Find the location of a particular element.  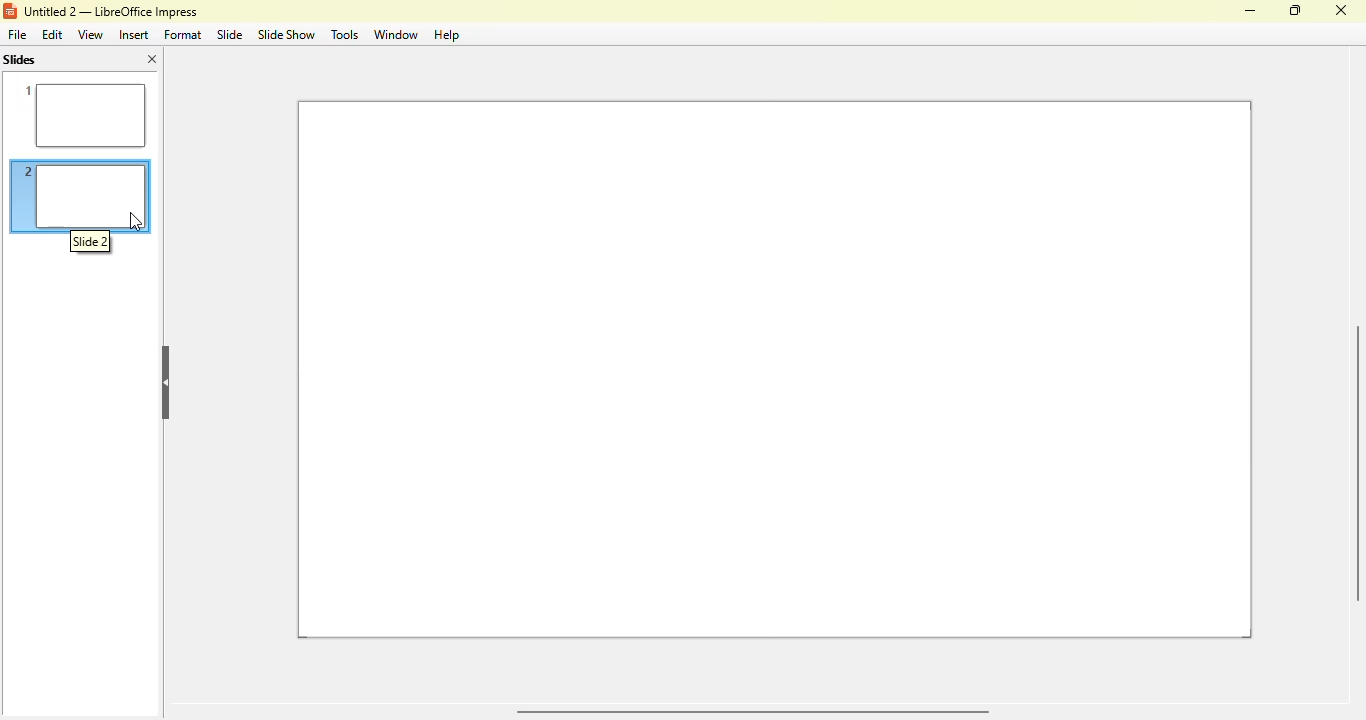

slide 1 is located at coordinates (79, 114).